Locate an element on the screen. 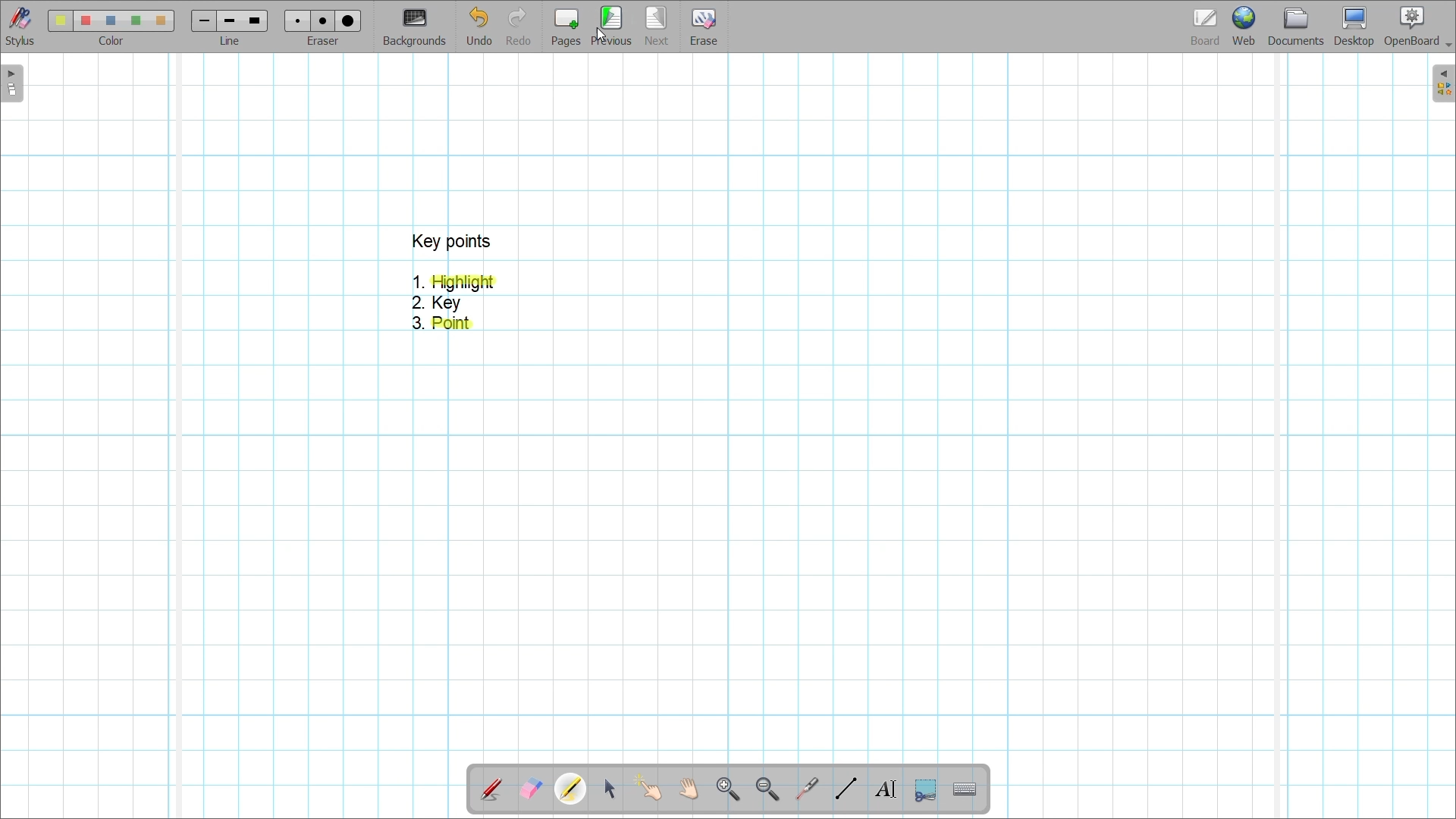  line 3 is located at coordinates (253, 20).